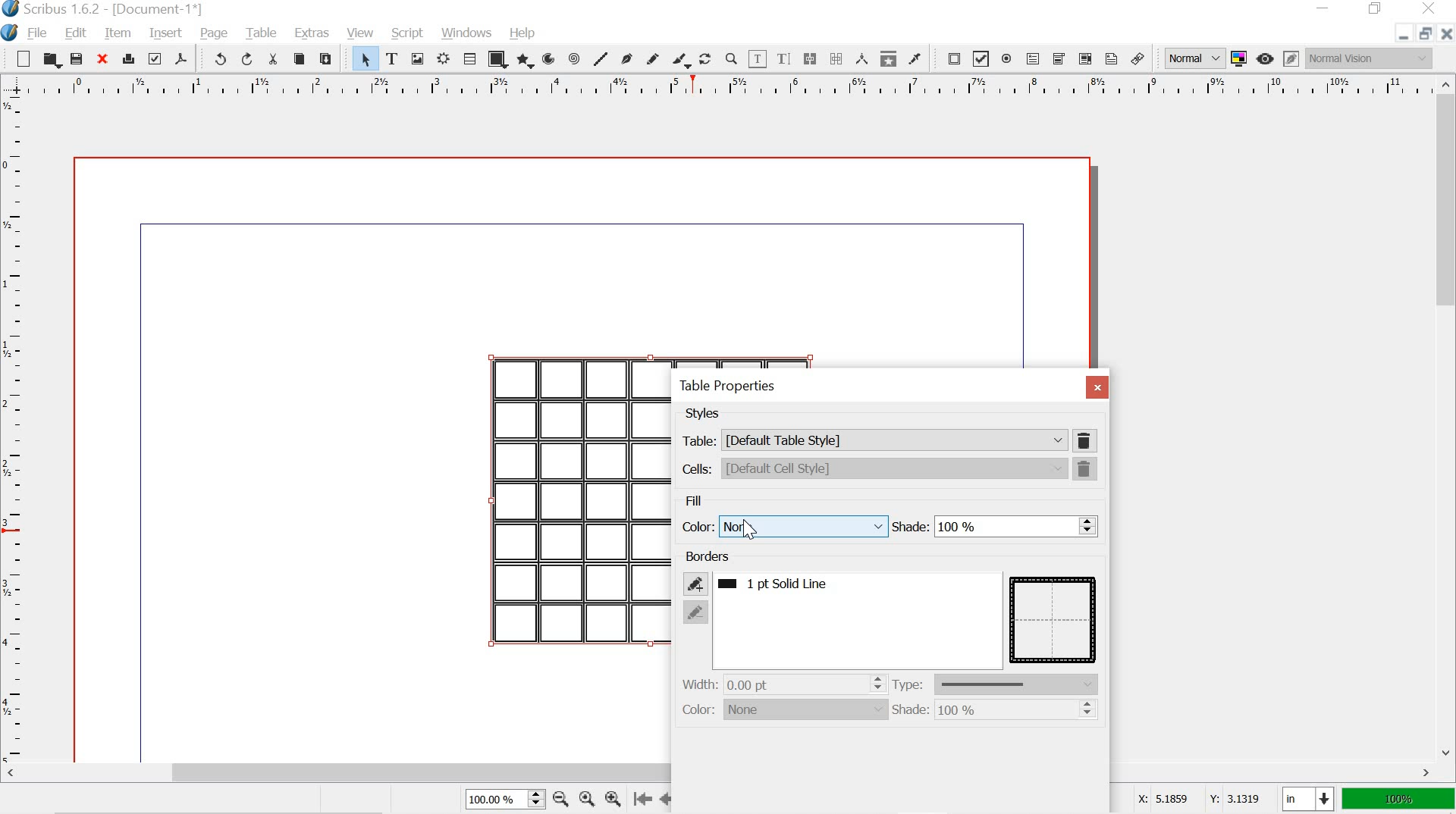 The width and height of the screenshot is (1456, 814). I want to click on add border, so click(695, 583).